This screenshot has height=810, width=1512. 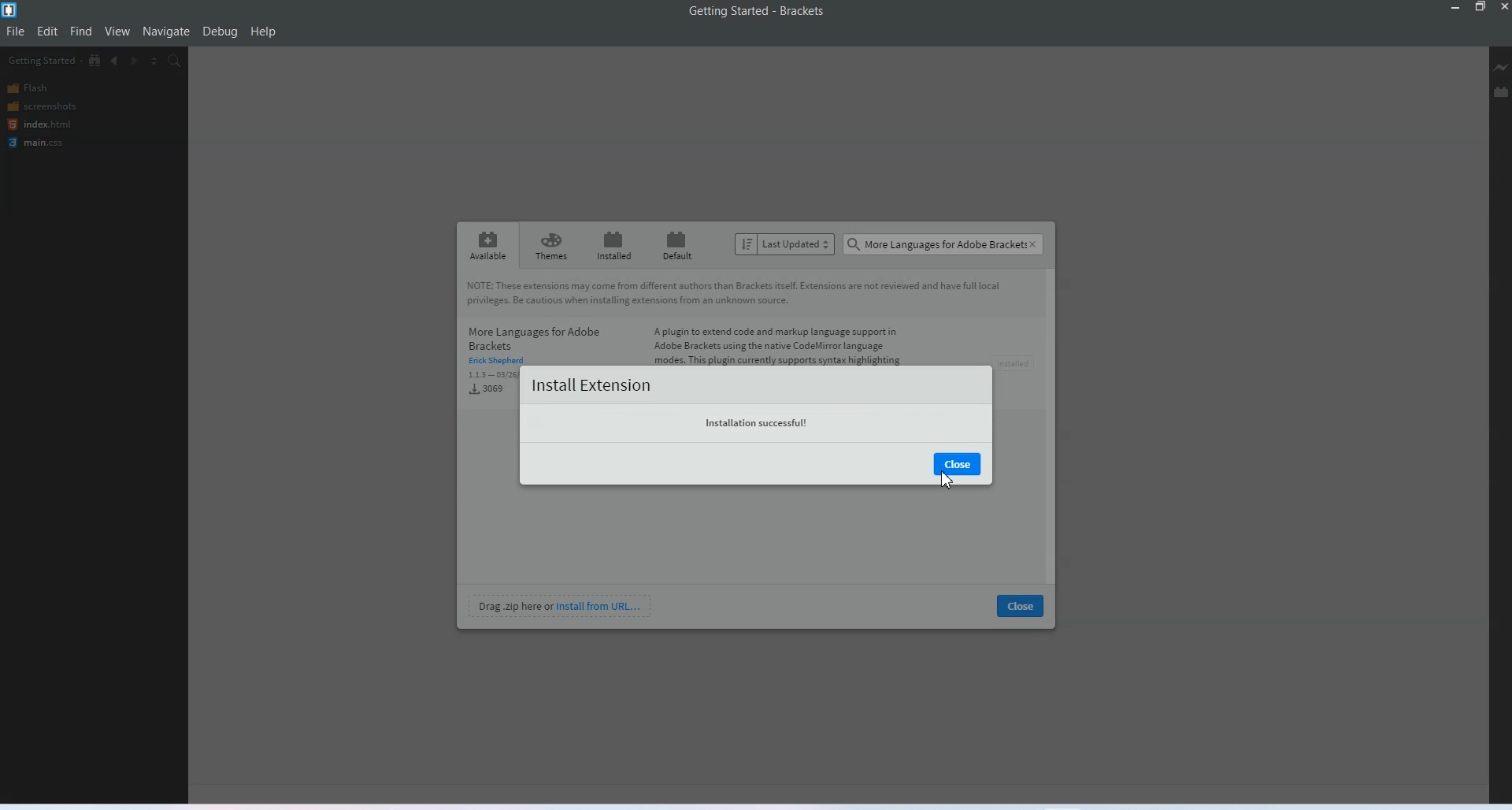 What do you see at coordinates (1503, 7) in the screenshot?
I see `Close` at bounding box center [1503, 7].